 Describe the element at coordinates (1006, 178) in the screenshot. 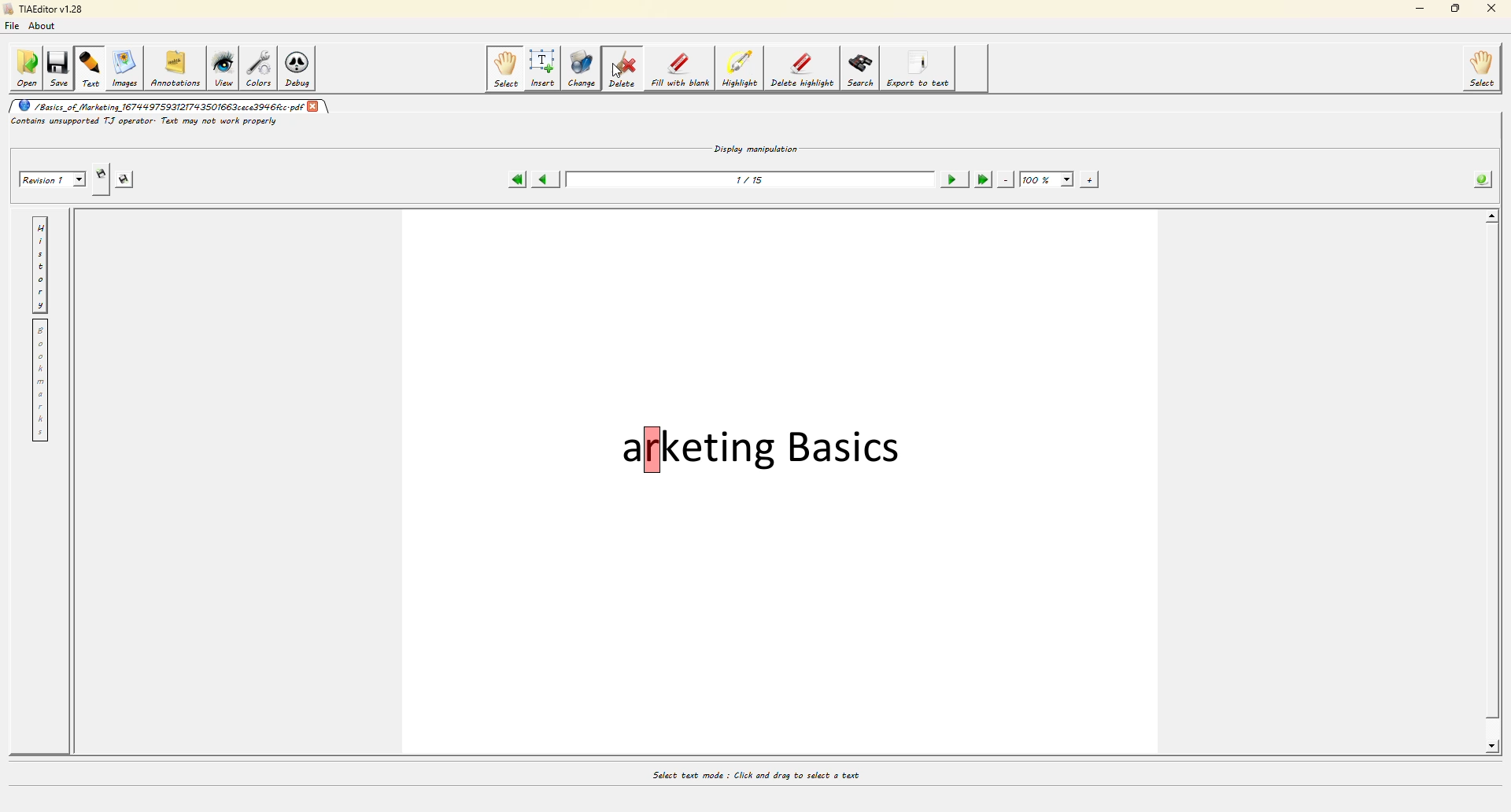

I see `zoom out` at that location.